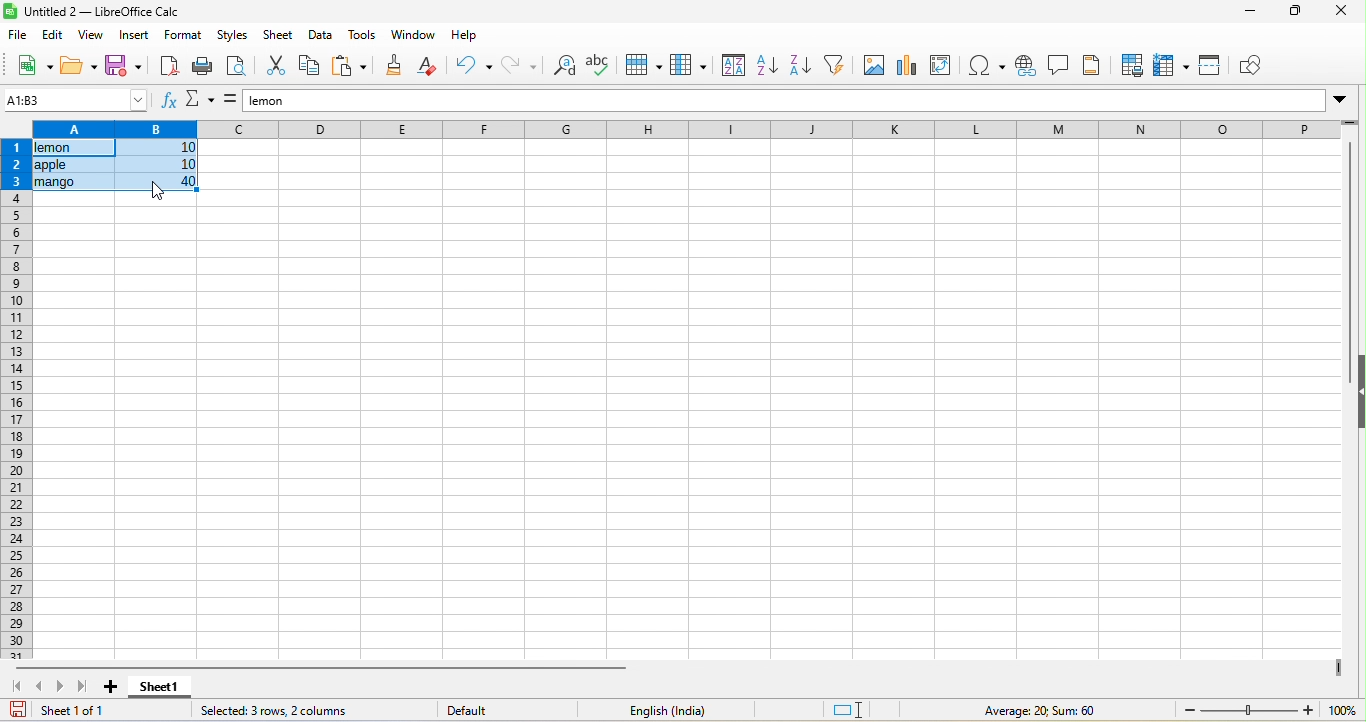 The height and width of the screenshot is (722, 1366). What do you see at coordinates (322, 36) in the screenshot?
I see `data` at bounding box center [322, 36].